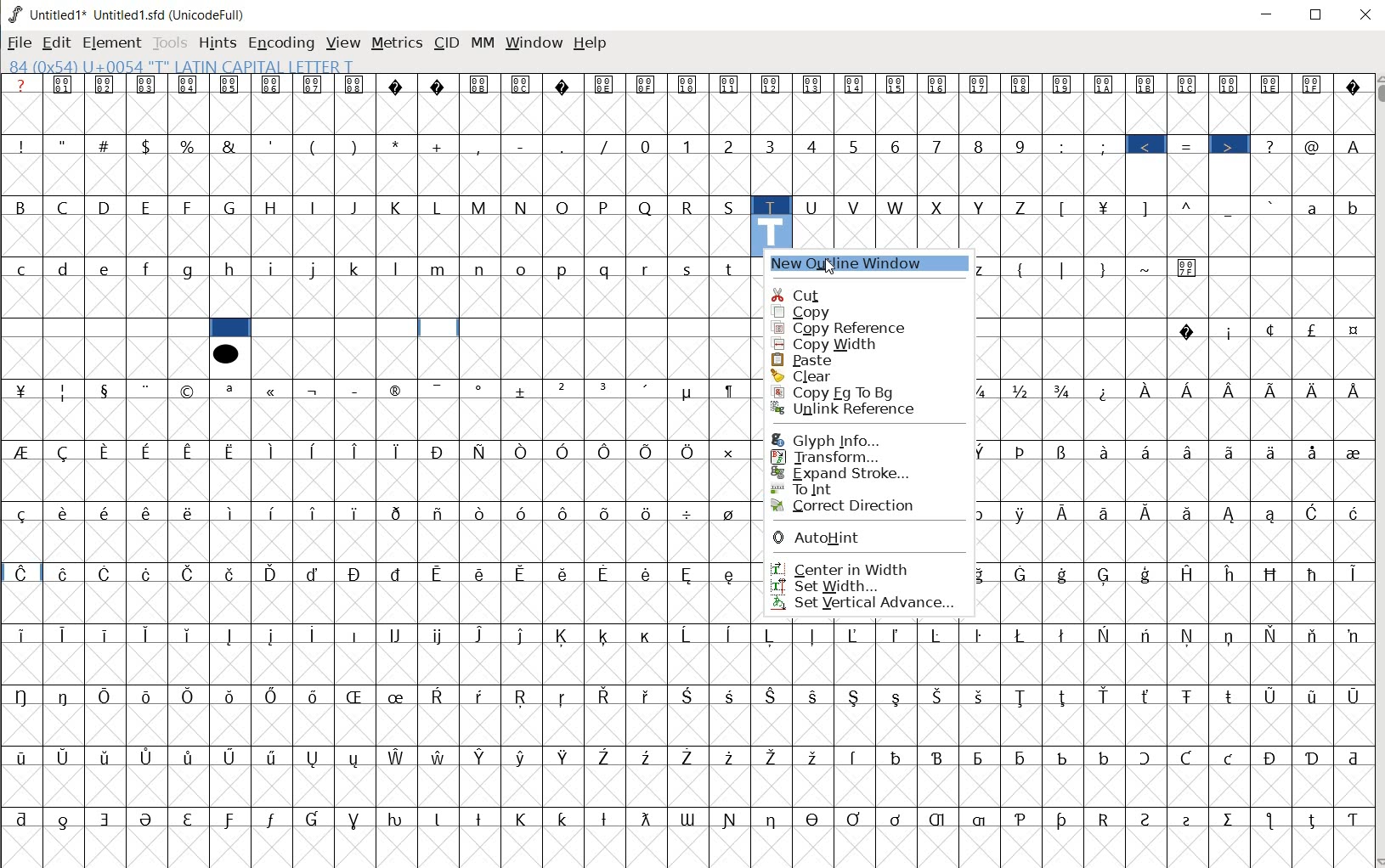 The image size is (1385, 868). What do you see at coordinates (314, 819) in the screenshot?
I see `Symbol` at bounding box center [314, 819].